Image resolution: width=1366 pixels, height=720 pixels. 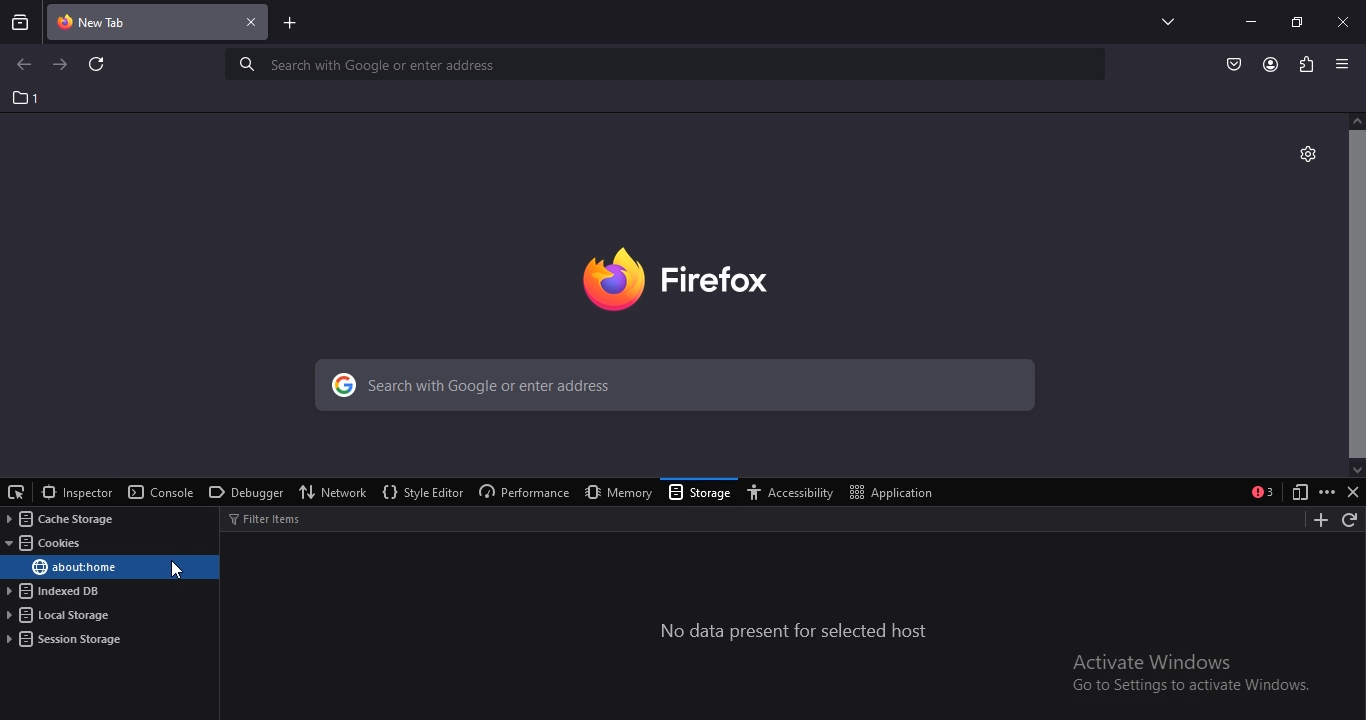 I want to click on scroll bar, so click(x=1356, y=293).